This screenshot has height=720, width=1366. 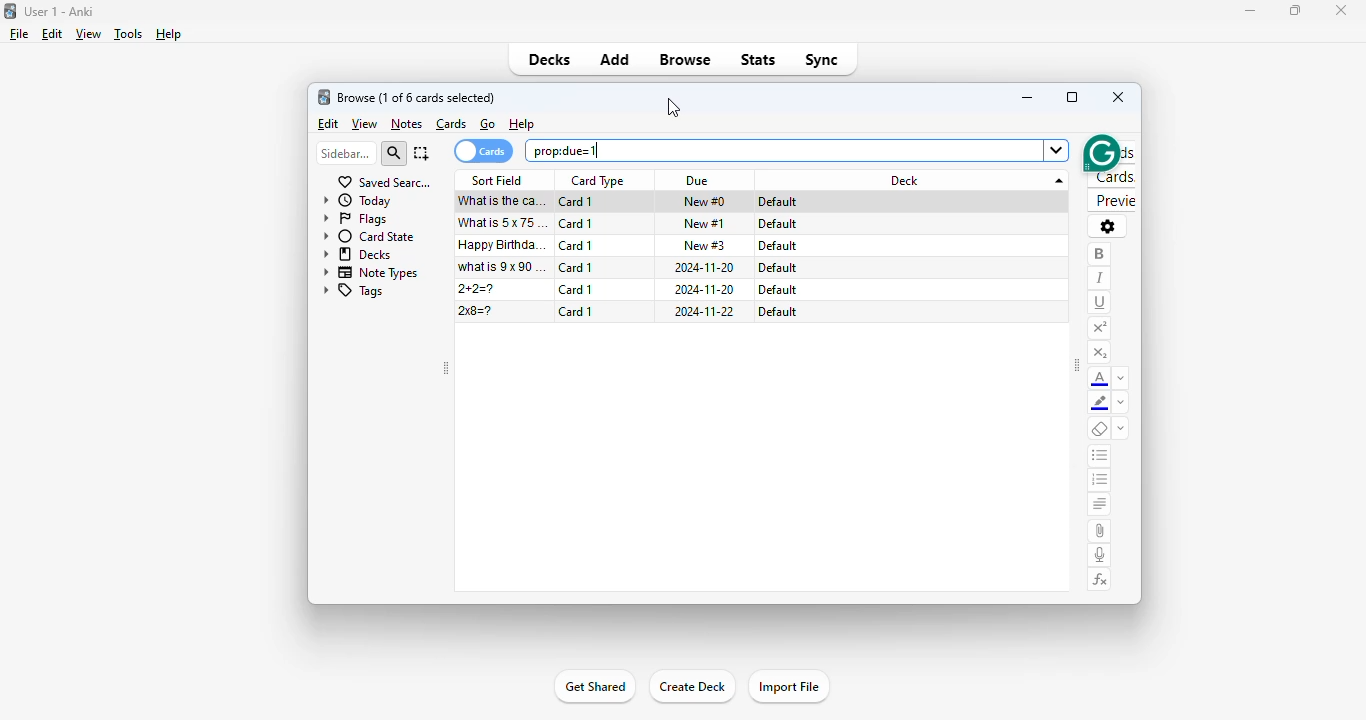 What do you see at coordinates (778, 201) in the screenshot?
I see `default` at bounding box center [778, 201].